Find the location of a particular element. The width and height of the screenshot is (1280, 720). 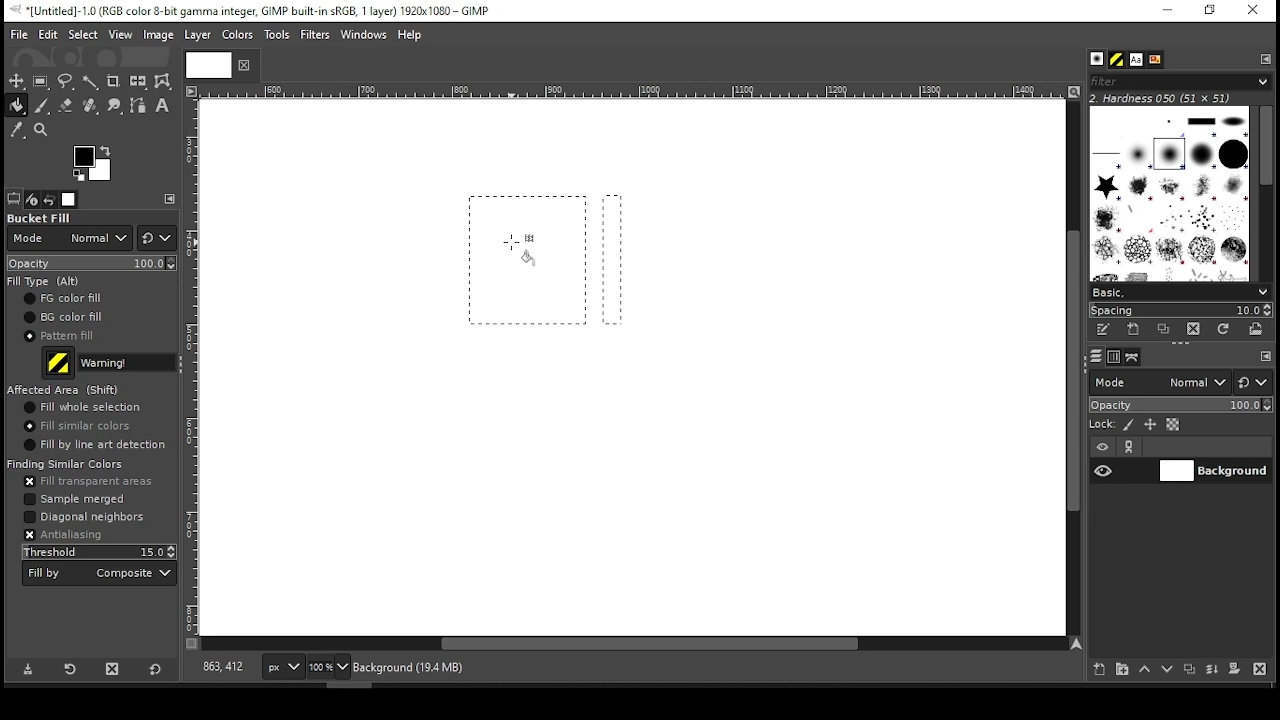

lock size and positioning is located at coordinates (1152, 425).